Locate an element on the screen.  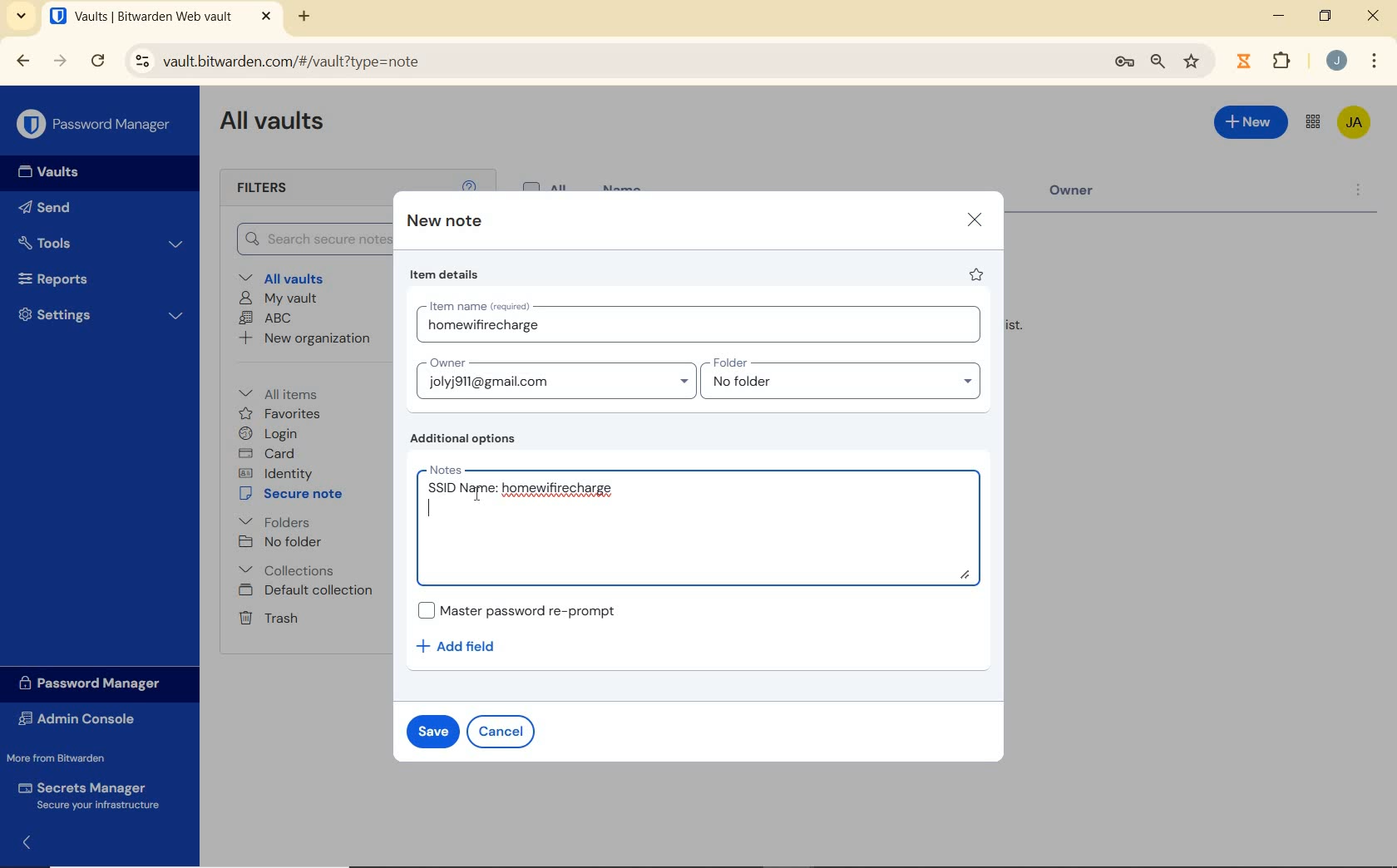
Settings is located at coordinates (99, 314).